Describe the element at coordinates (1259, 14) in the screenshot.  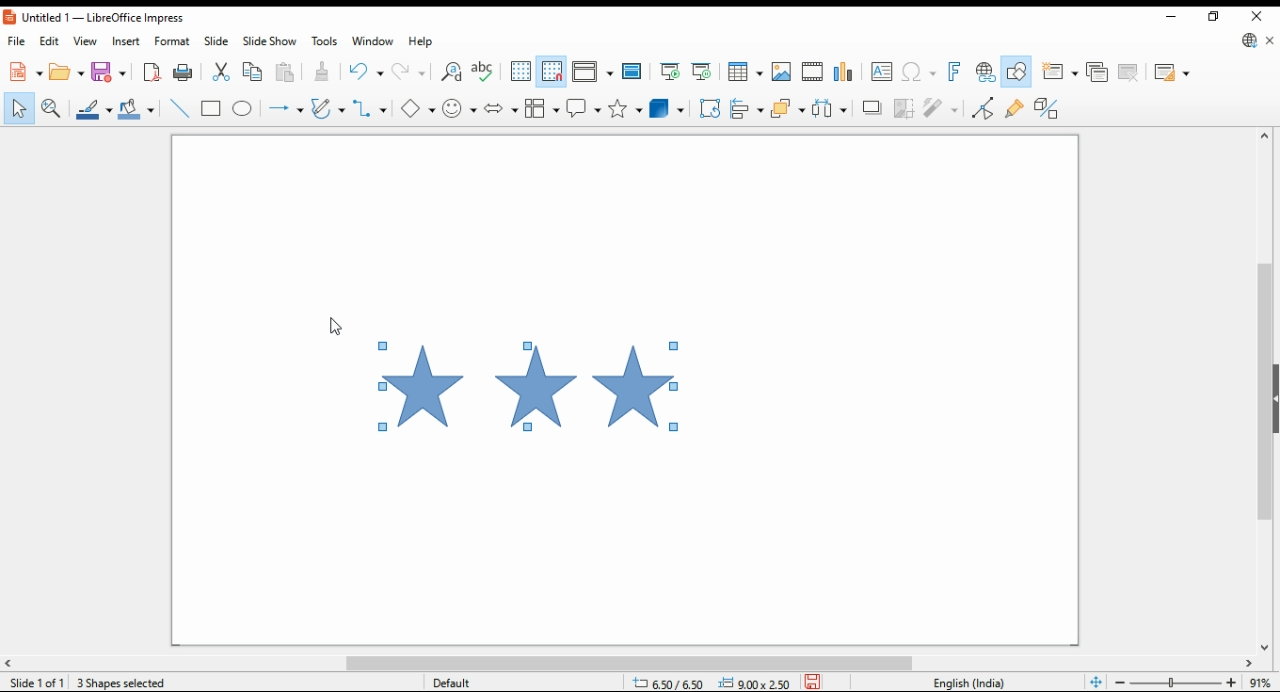
I see `close window` at that location.